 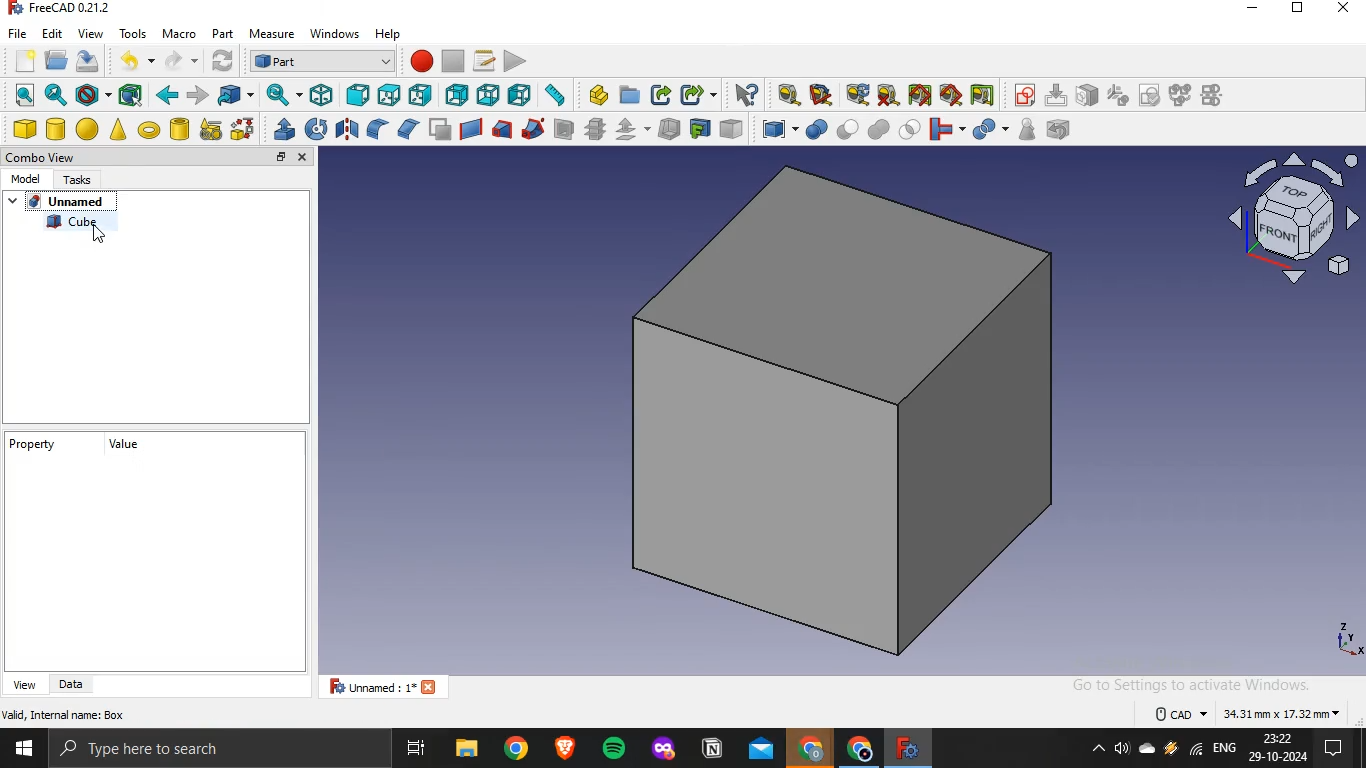 What do you see at coordinates (78, 178) in the screenshot?
I see `tasks` at bounding box center [78, 178].